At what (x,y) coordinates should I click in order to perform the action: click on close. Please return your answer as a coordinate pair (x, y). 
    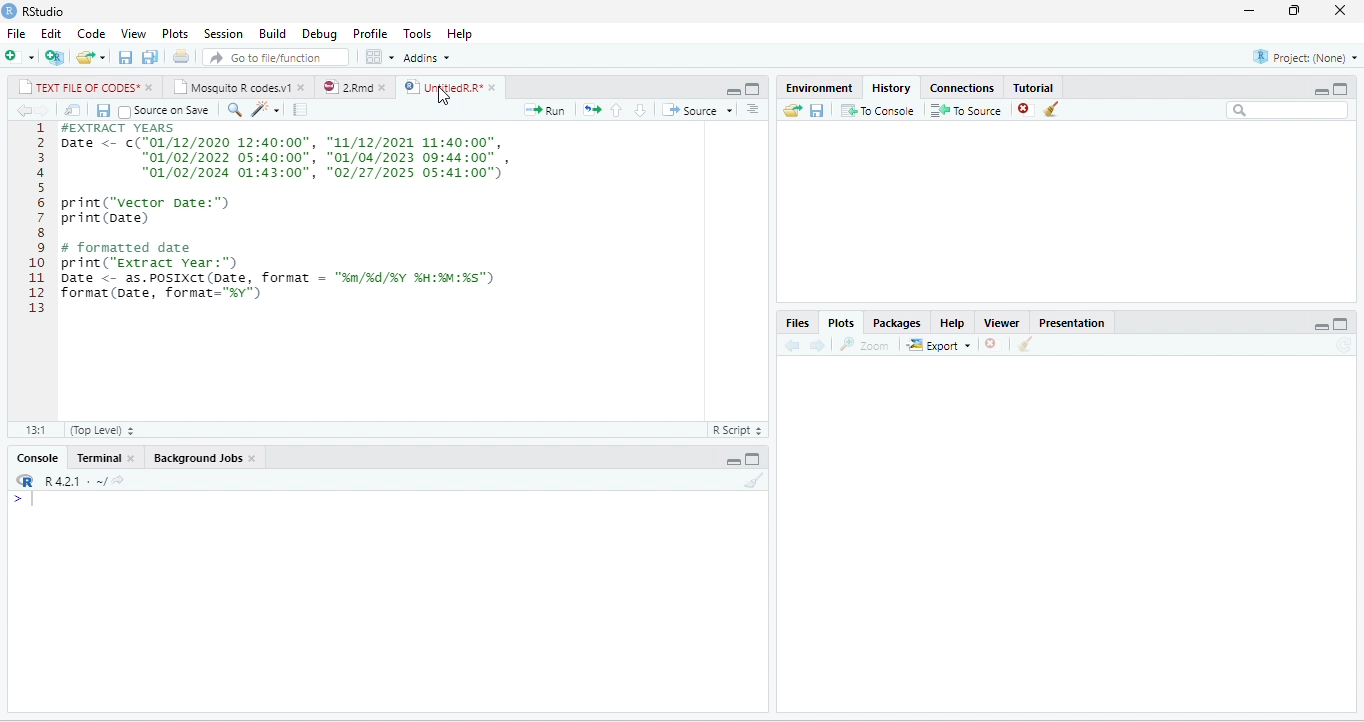
    Looking at the image, I should click on (494, 88).